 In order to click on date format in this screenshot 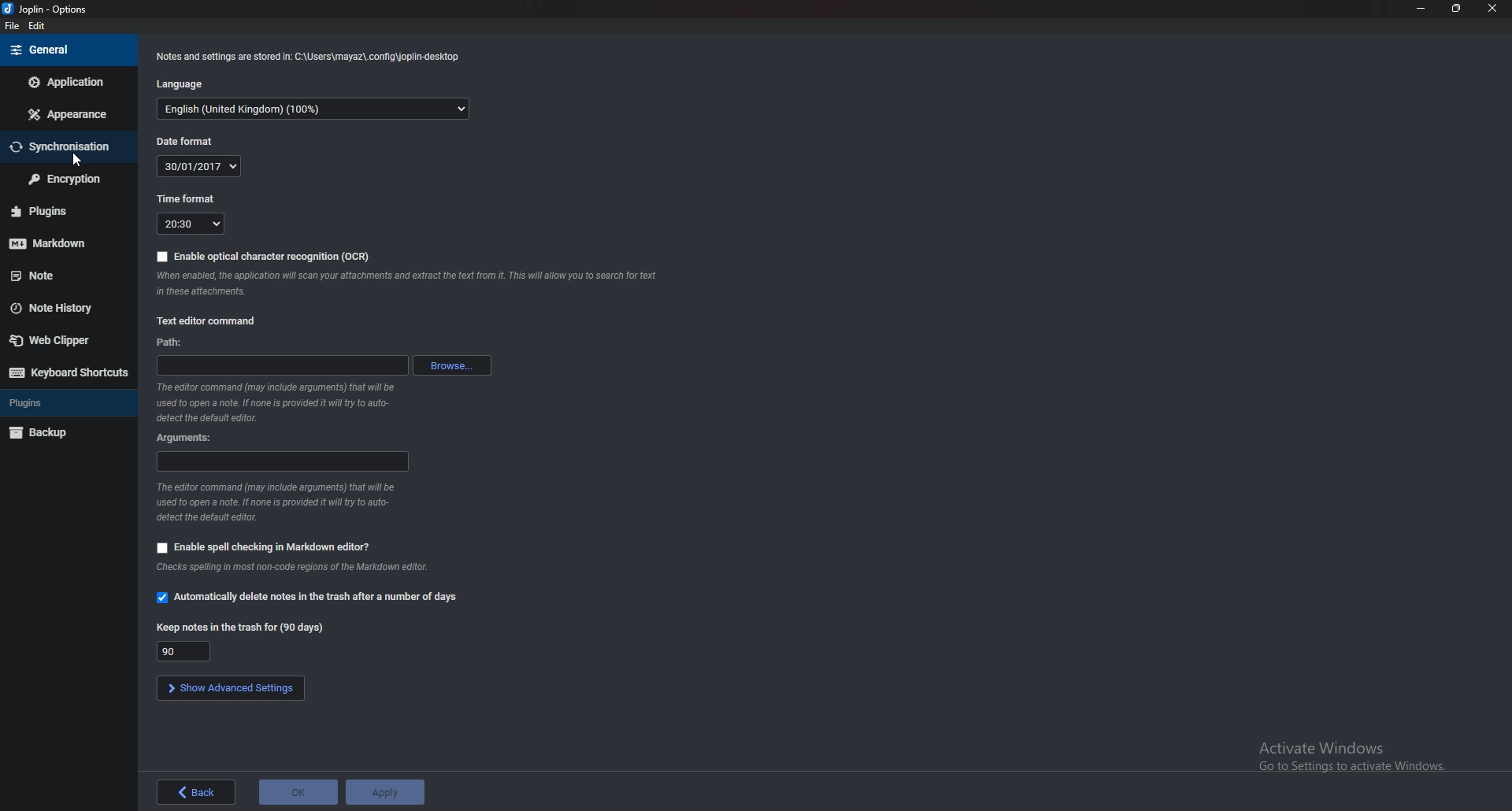, I will do `click(198, 166)`.